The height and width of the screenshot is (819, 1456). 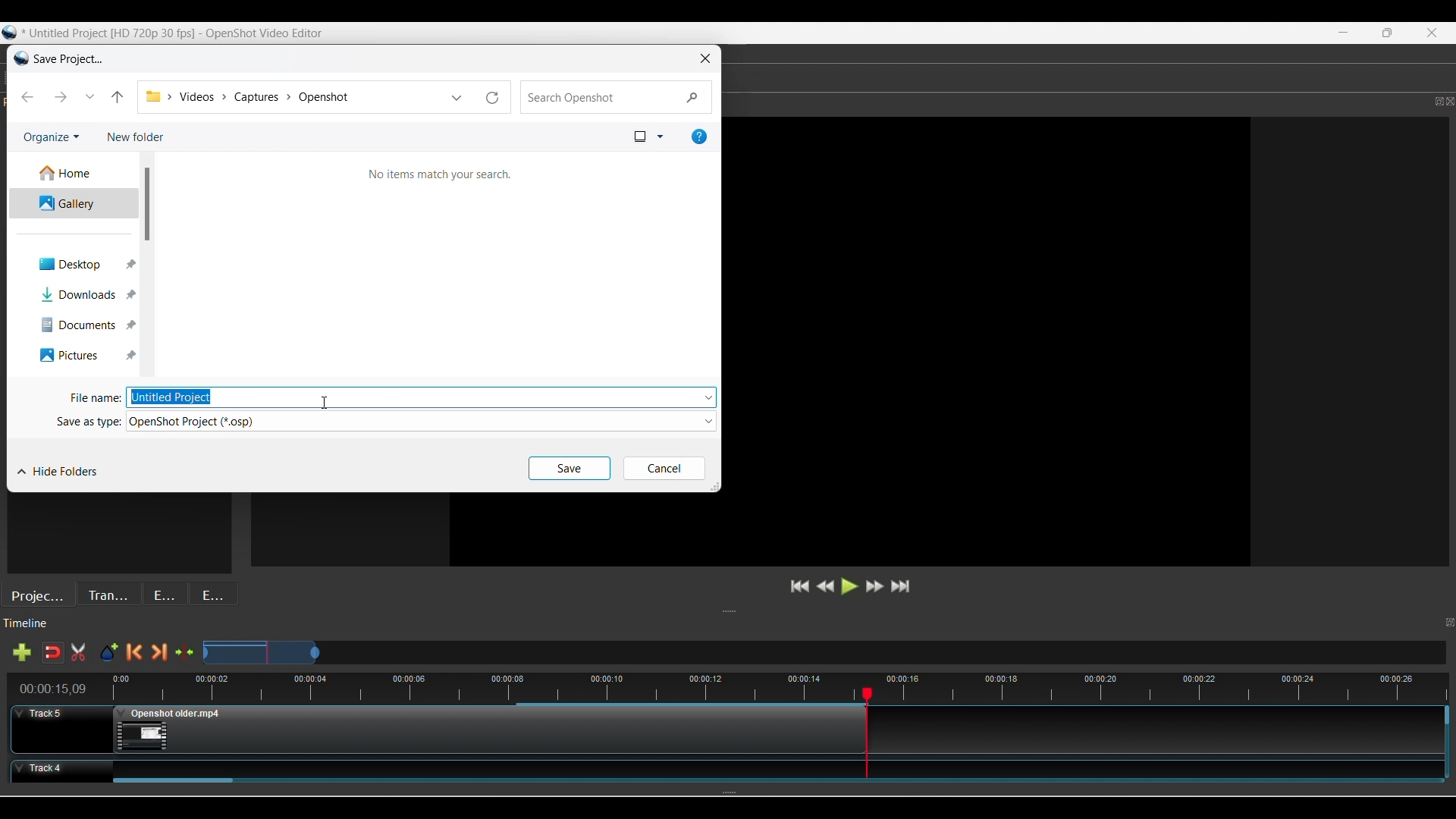 I want to click on logo, so click(x=9, y=36).